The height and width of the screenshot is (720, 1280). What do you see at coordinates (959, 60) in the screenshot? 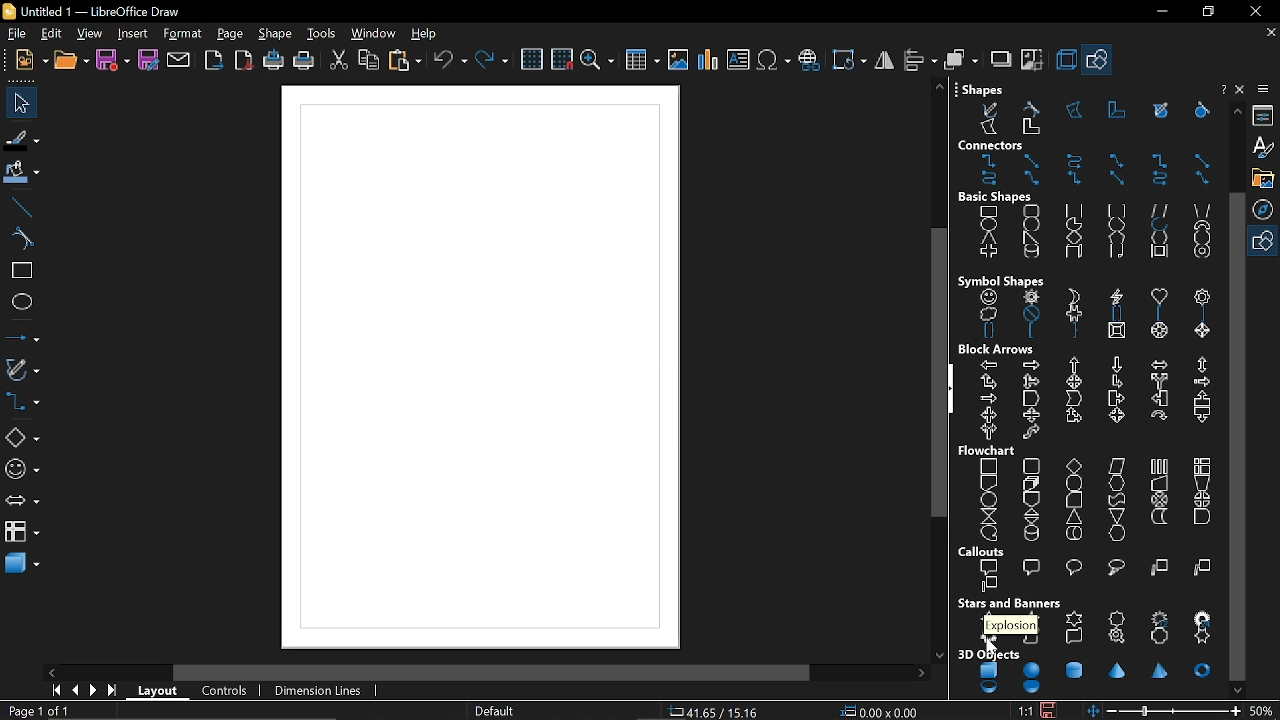
I see `arrange` at bounding box center [959, 60].